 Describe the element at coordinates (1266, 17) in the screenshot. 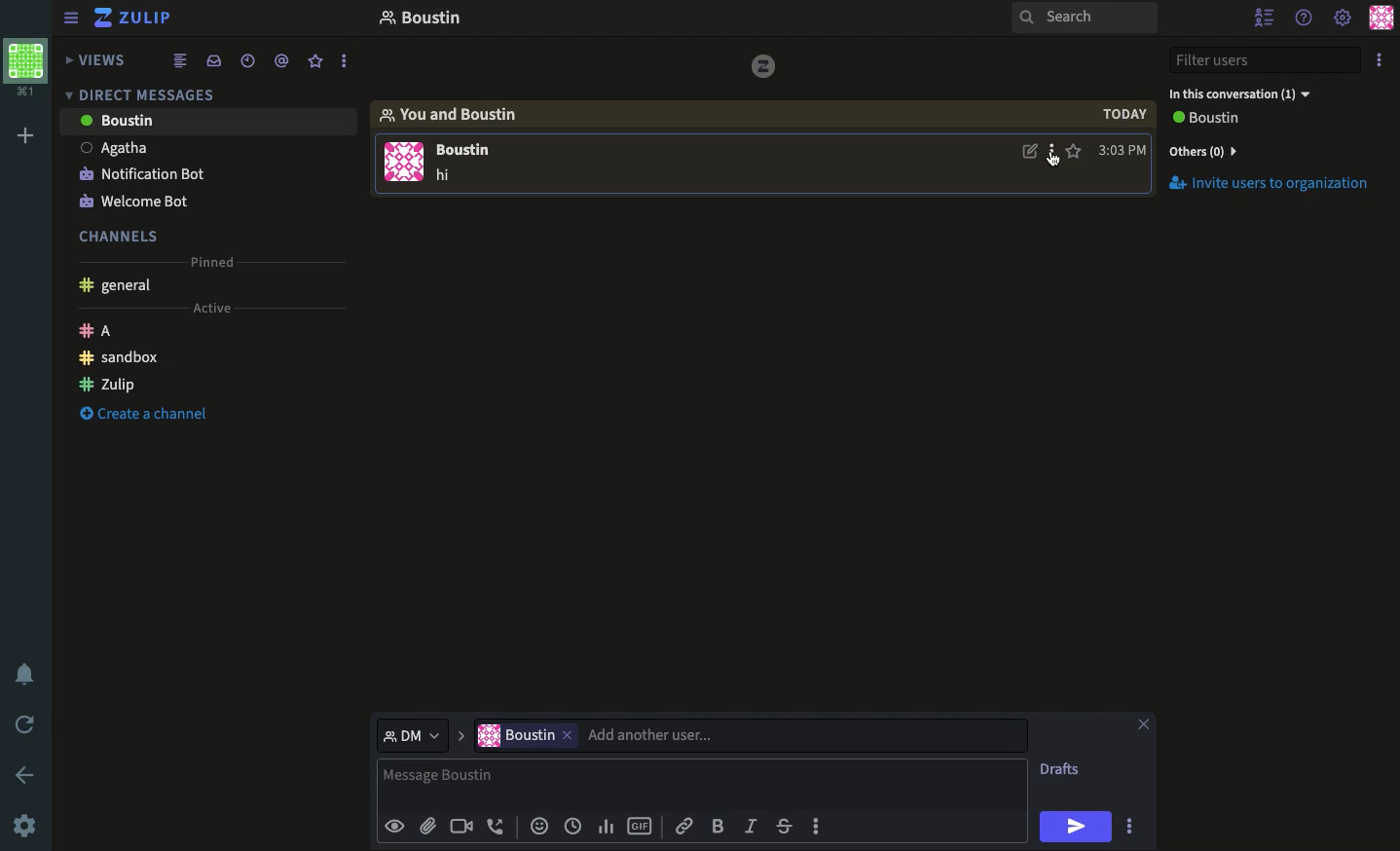

I see `Hide users list` at that location.